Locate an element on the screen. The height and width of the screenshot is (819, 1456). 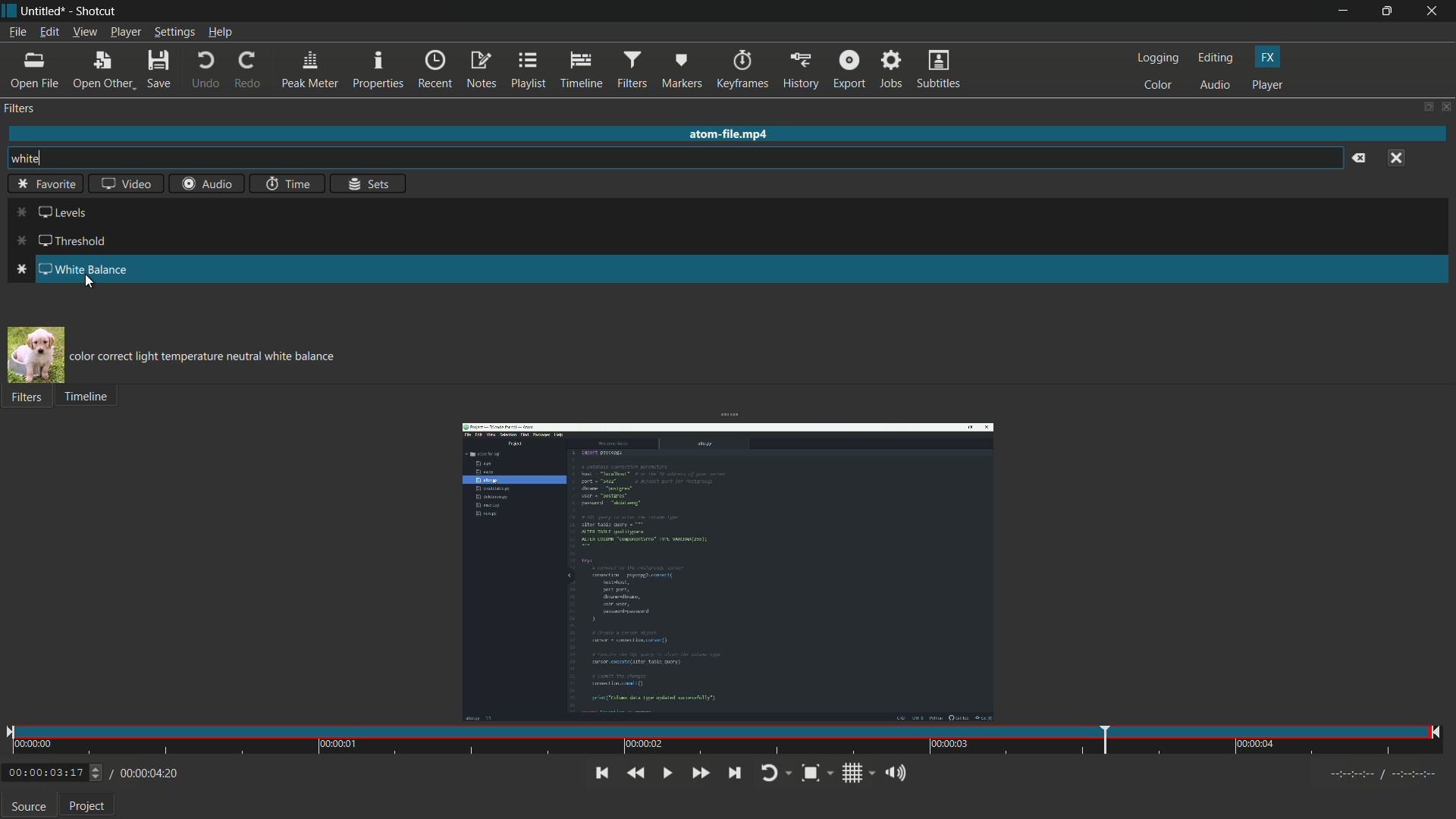
audio is located at coordinates (206, 183).